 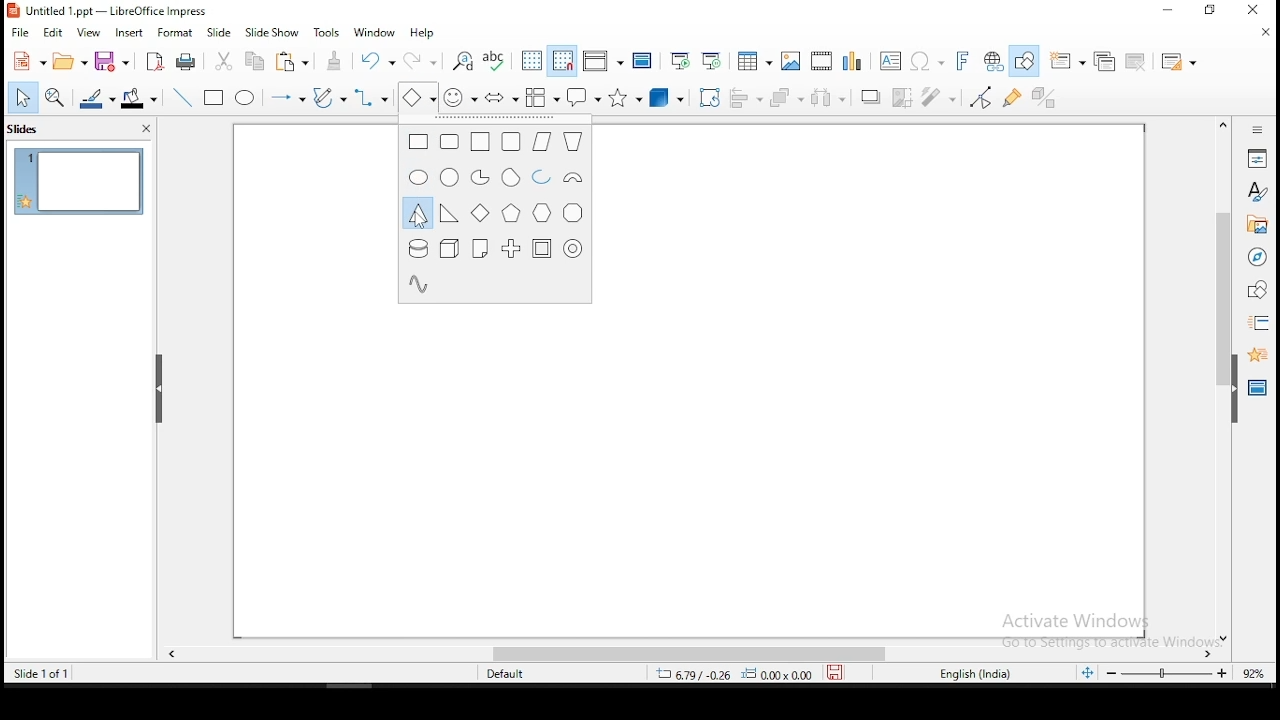 What do you see at coordinates (143, 96) in the screenshot?
I see `fill color` at bounding box center [143, 96].